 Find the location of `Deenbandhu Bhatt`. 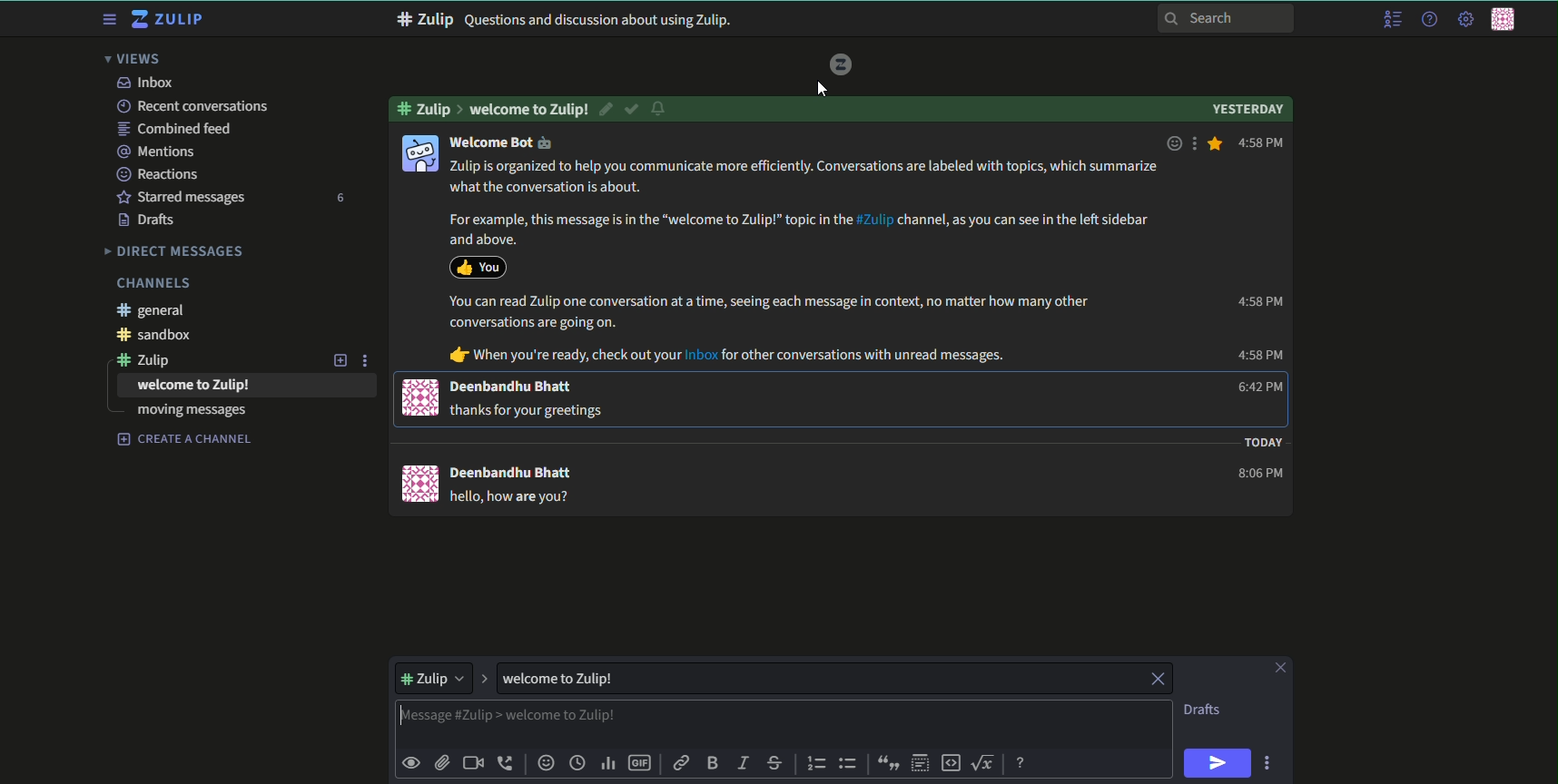

Deenbandhu Bhatt is located at coordinates (518, 387).